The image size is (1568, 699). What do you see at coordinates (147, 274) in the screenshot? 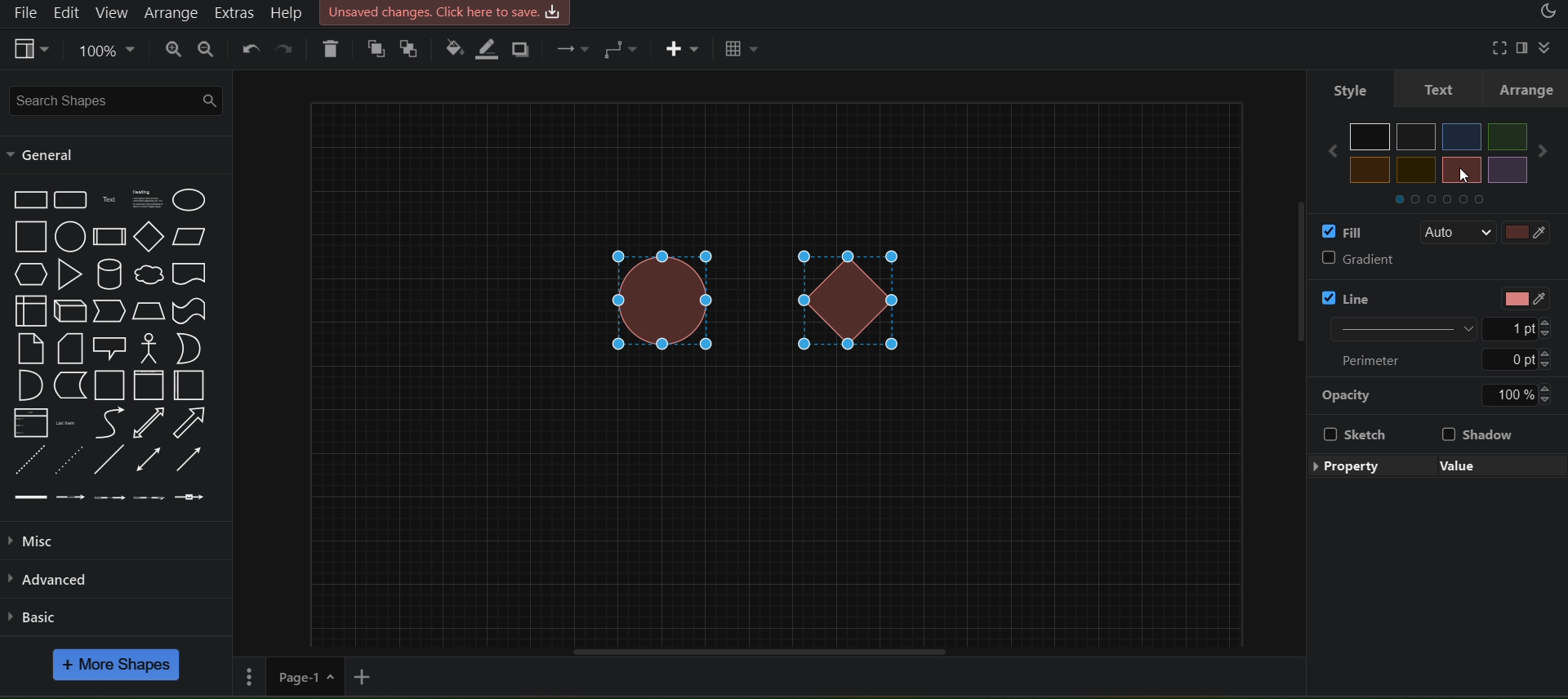
I see `Cloud` at bounding box center [147, 274].